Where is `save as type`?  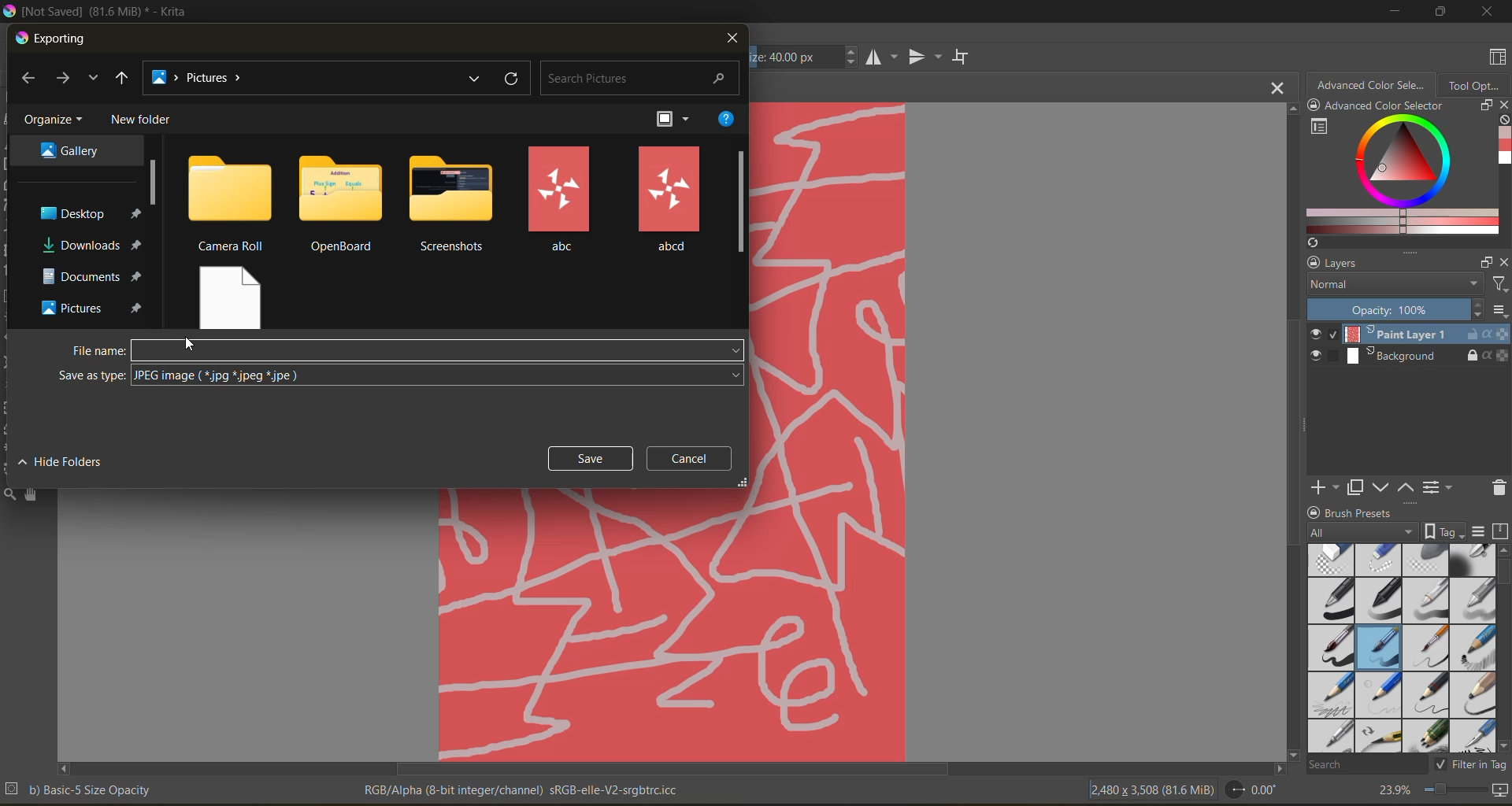
save as type is located at coordinates (439, 375).